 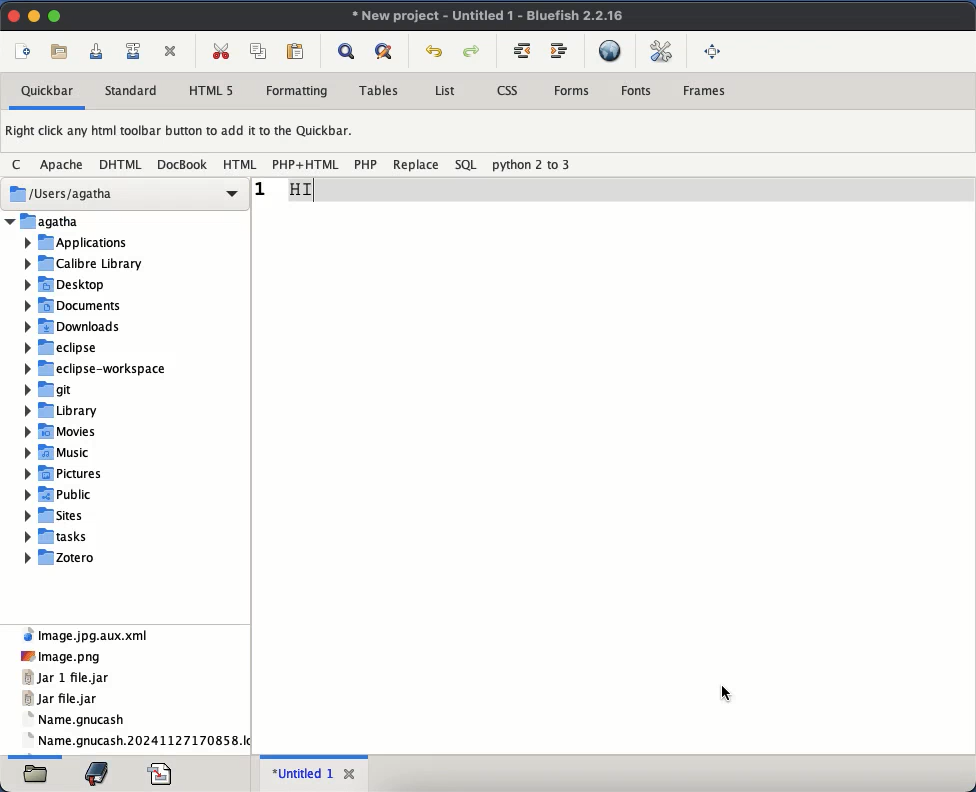 What do you see at coordinates (305, 773) in the screenshot?
I see `untitled 1` at bounding box center [305, 773].